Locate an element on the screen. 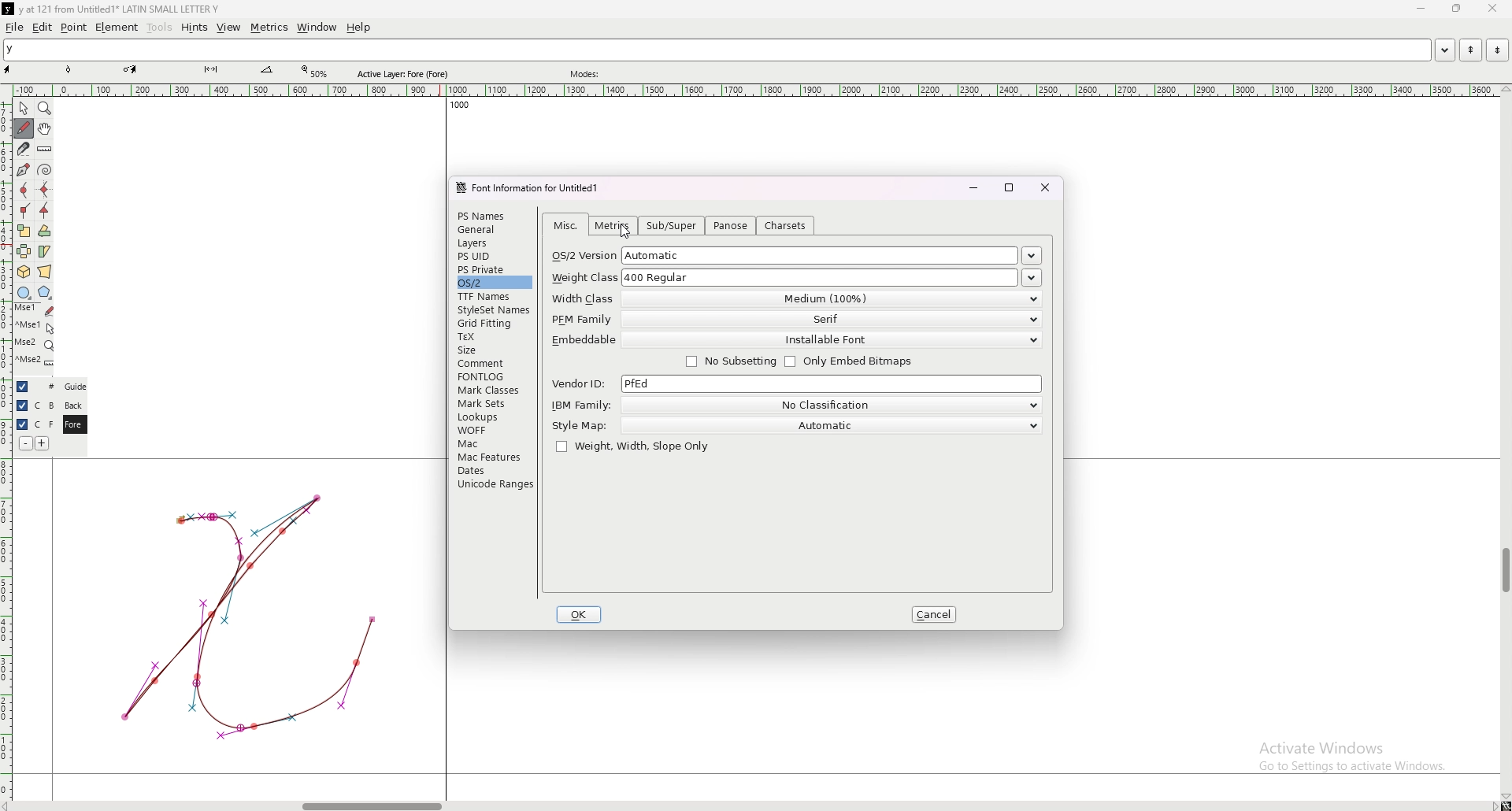  scroll right is located at coordinates (1493, 805).